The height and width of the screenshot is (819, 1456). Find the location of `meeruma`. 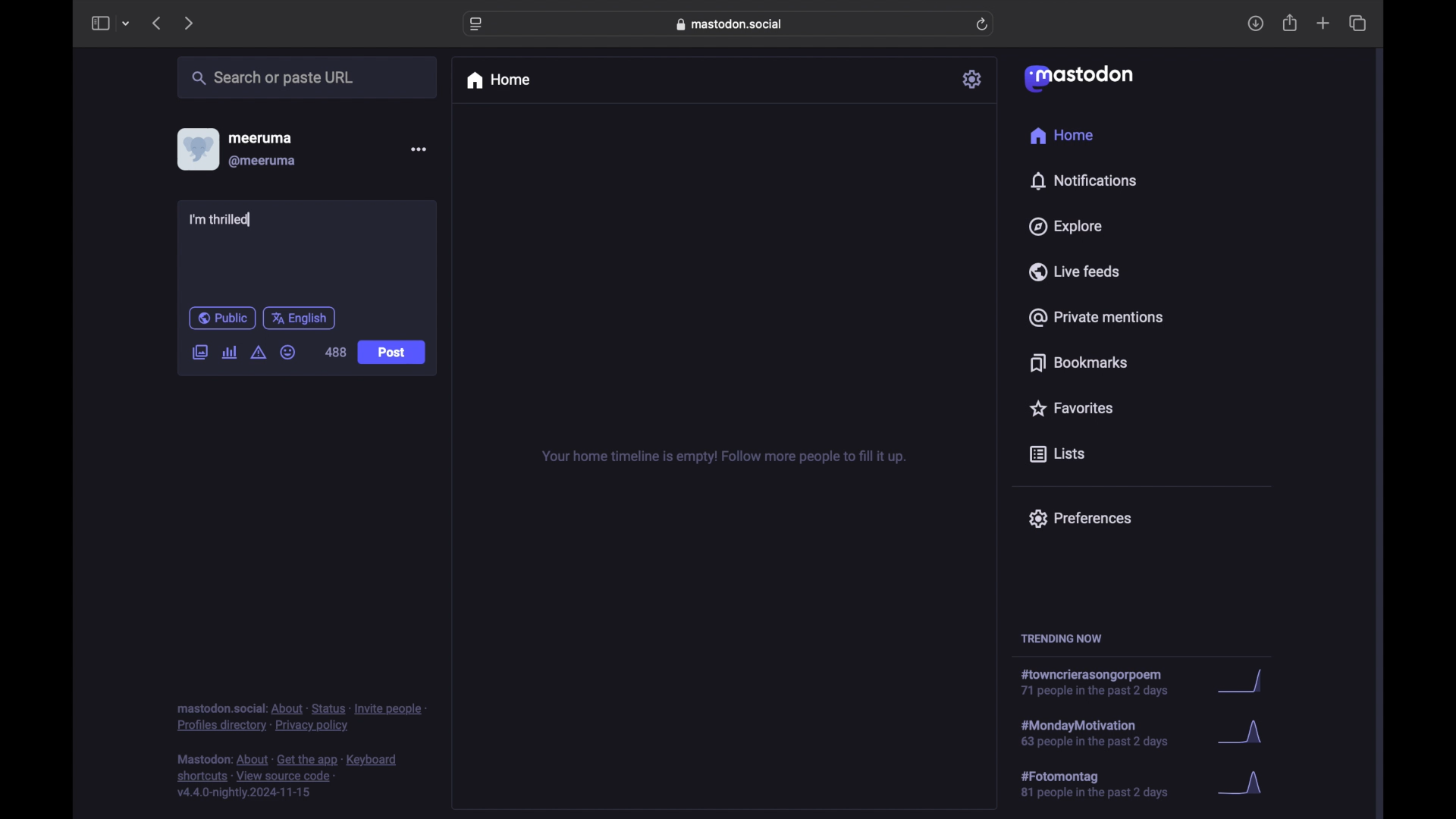

meeruma is located at coordinates (260, 138).